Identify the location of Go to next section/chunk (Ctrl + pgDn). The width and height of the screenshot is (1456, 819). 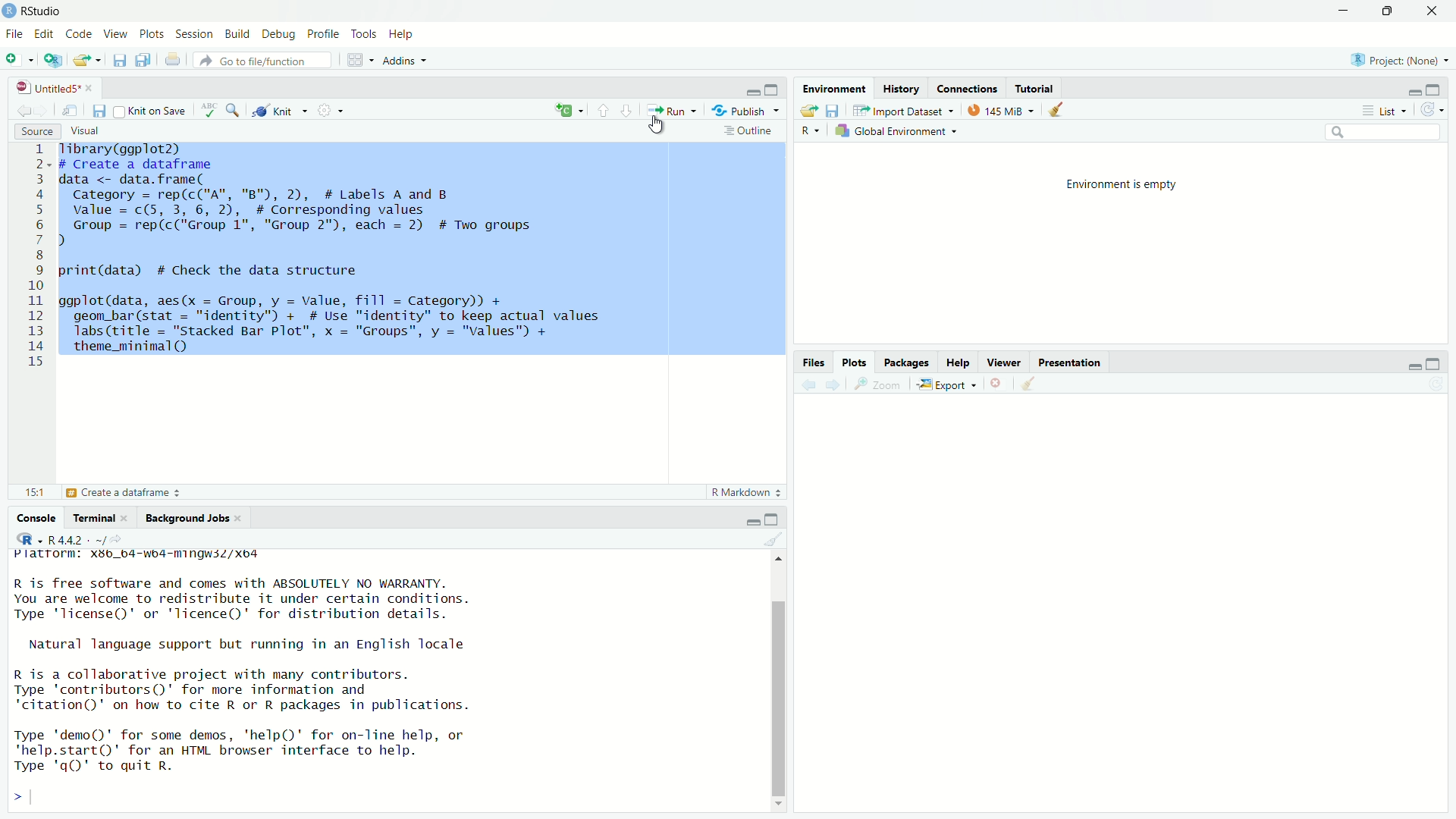
(625, 109).